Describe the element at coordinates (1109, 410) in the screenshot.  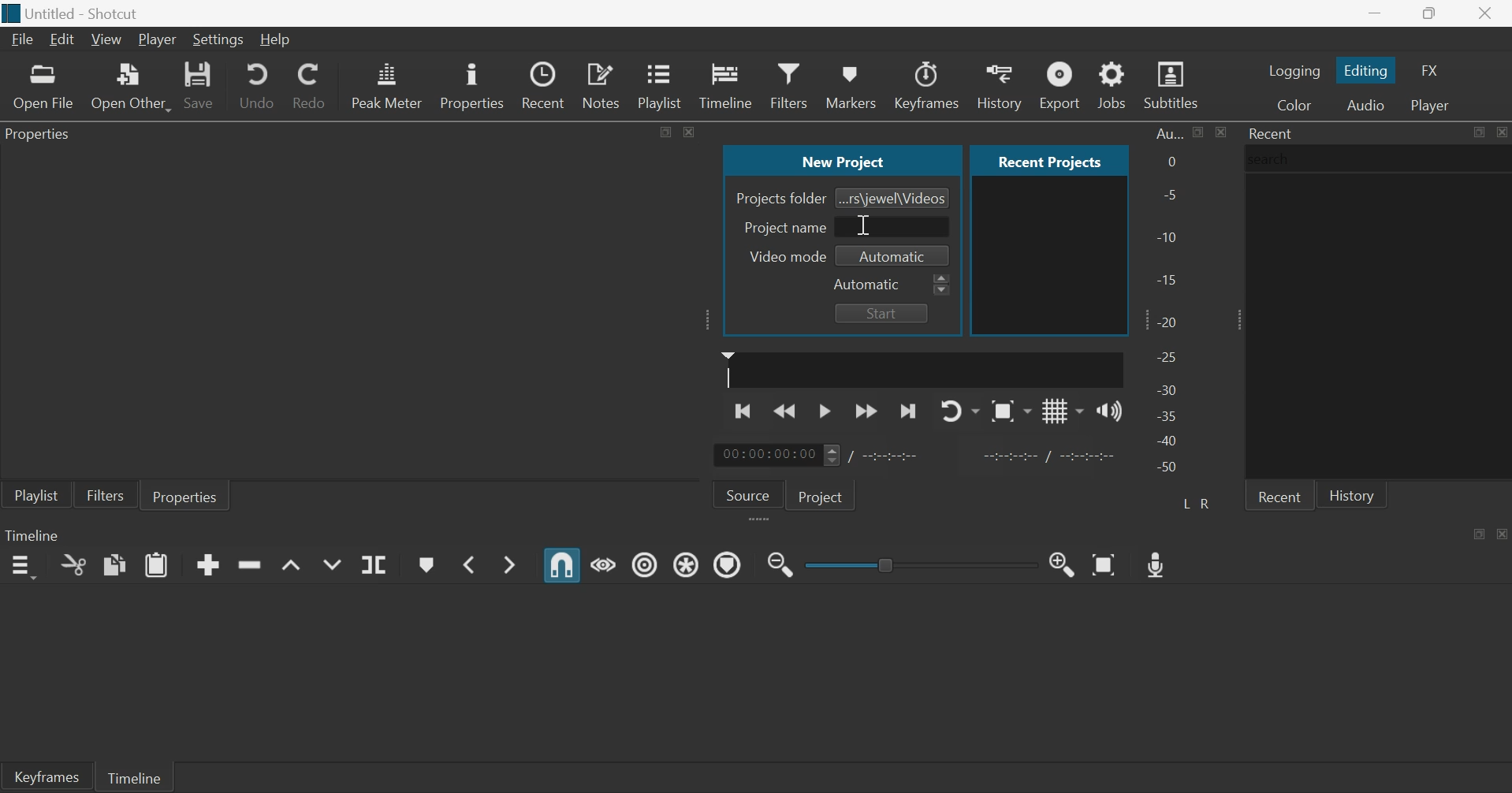
I see `Show the volume control` at that location.